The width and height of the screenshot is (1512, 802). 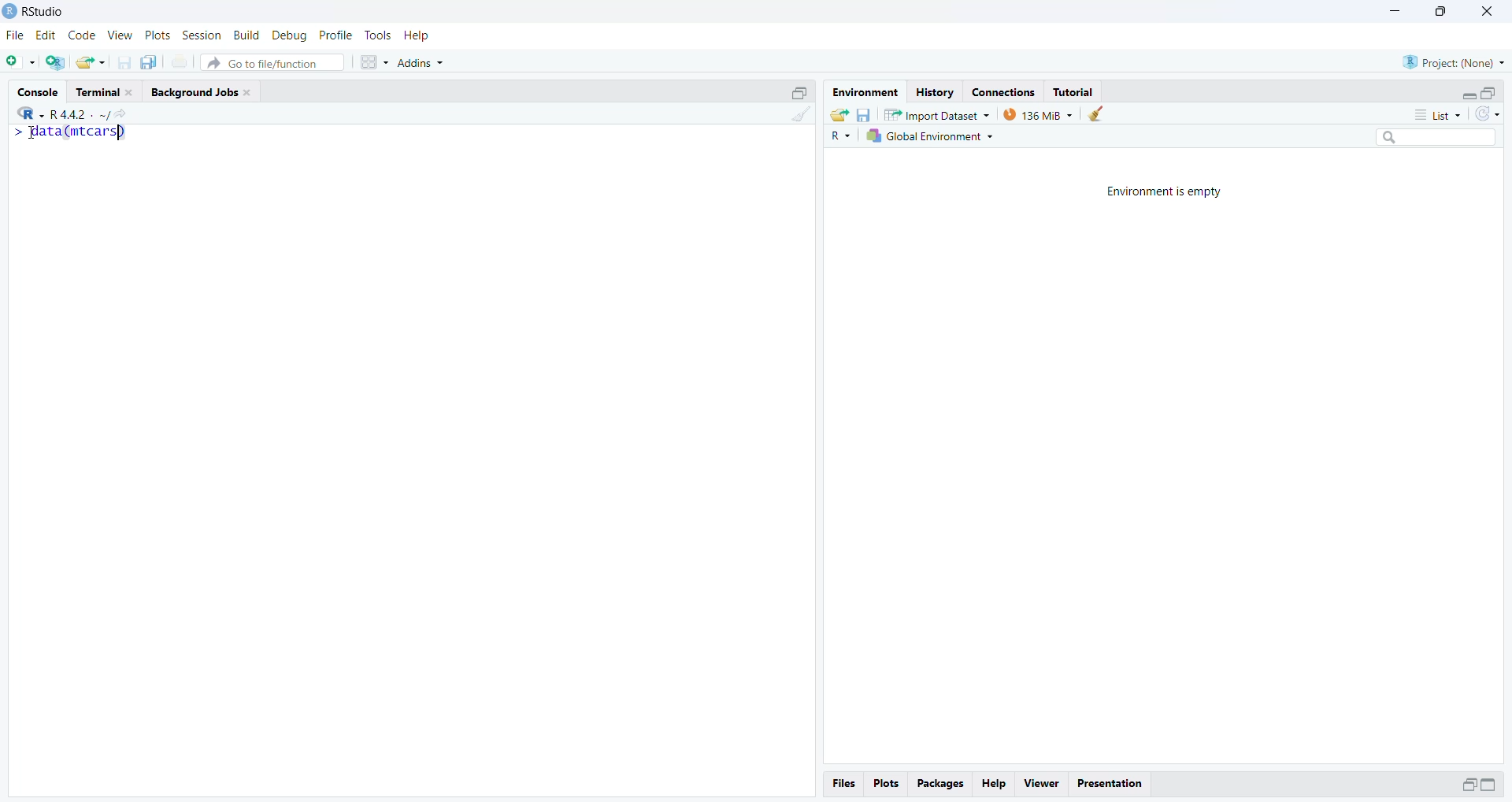 What do you see at coordinates (26, 112) in the screenshot?
I see `R` at bounding box center [26, 112].